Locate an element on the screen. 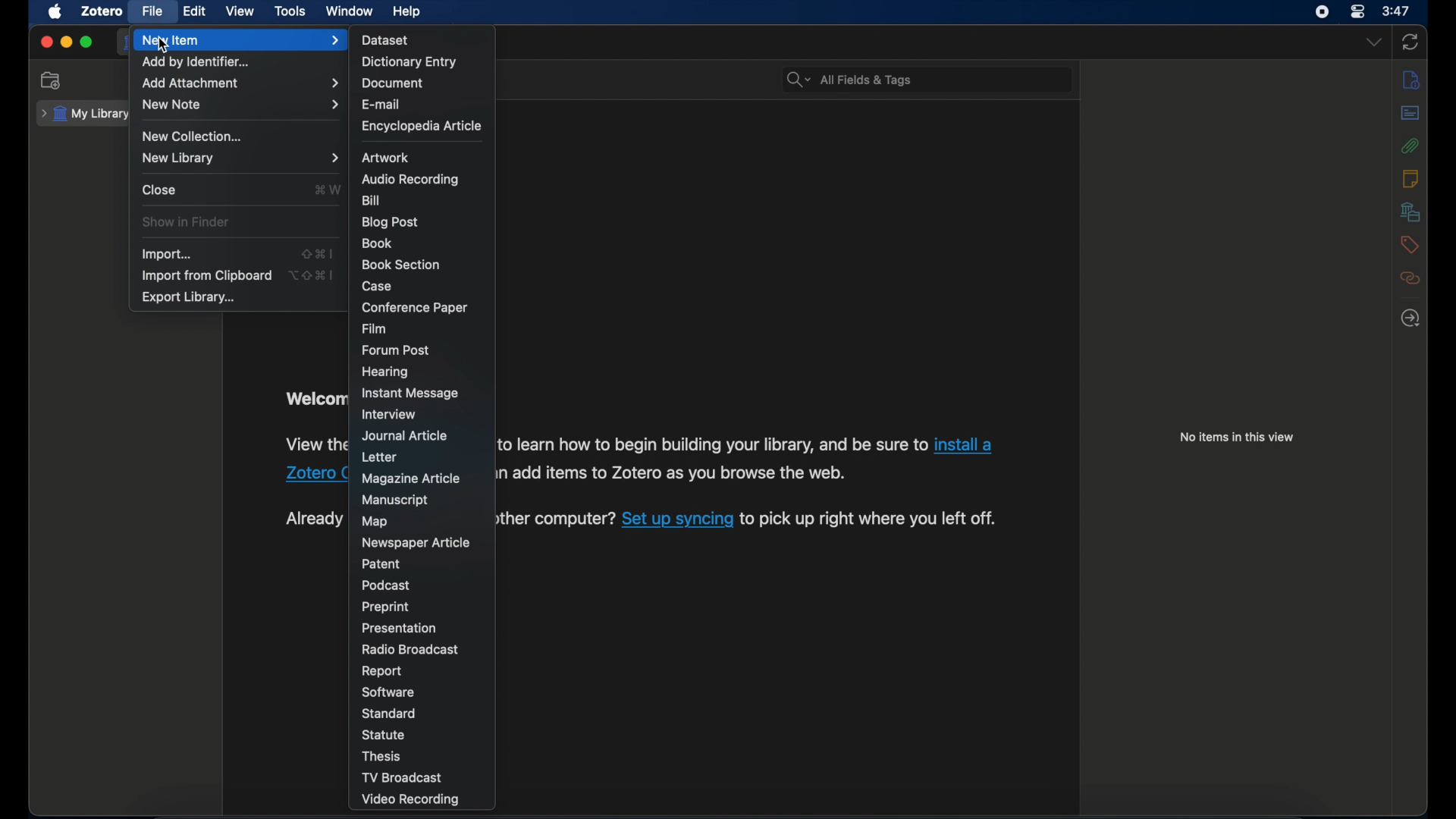  new collection is located at coordinates (51, 80).